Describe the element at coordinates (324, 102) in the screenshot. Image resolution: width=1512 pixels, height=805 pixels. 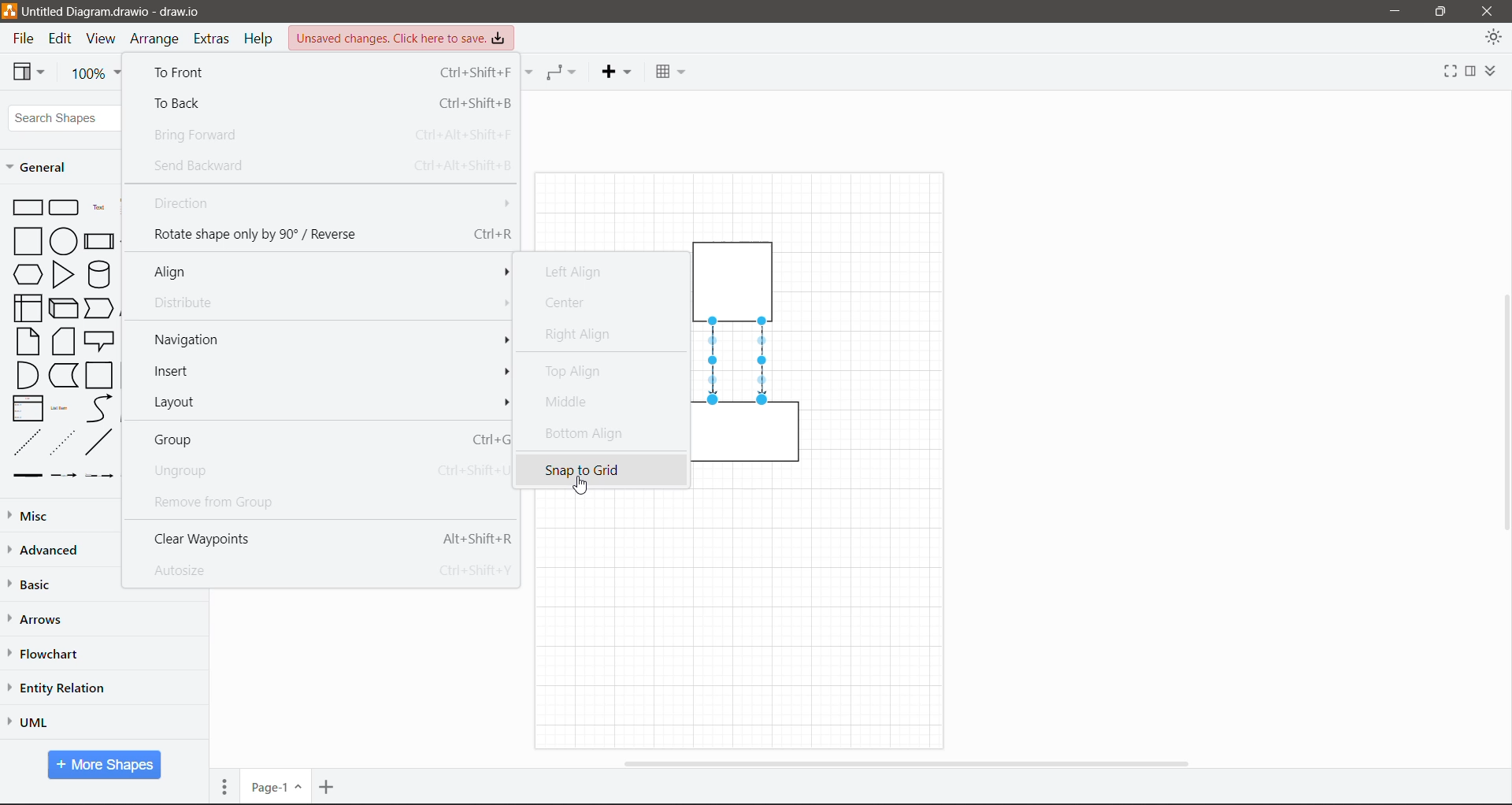
I see `To Back` at that location.